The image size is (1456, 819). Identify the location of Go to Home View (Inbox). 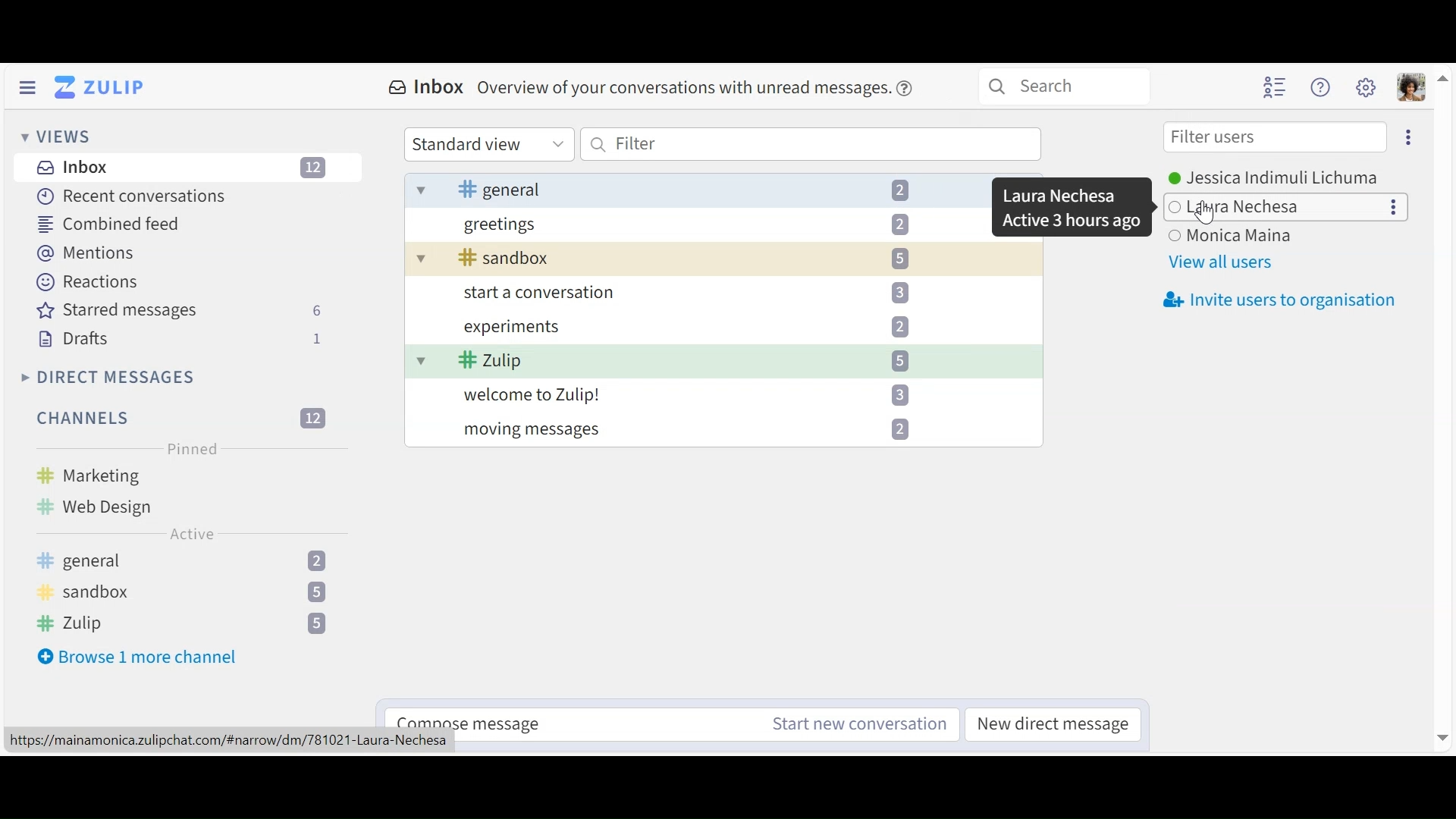
(102, 87).